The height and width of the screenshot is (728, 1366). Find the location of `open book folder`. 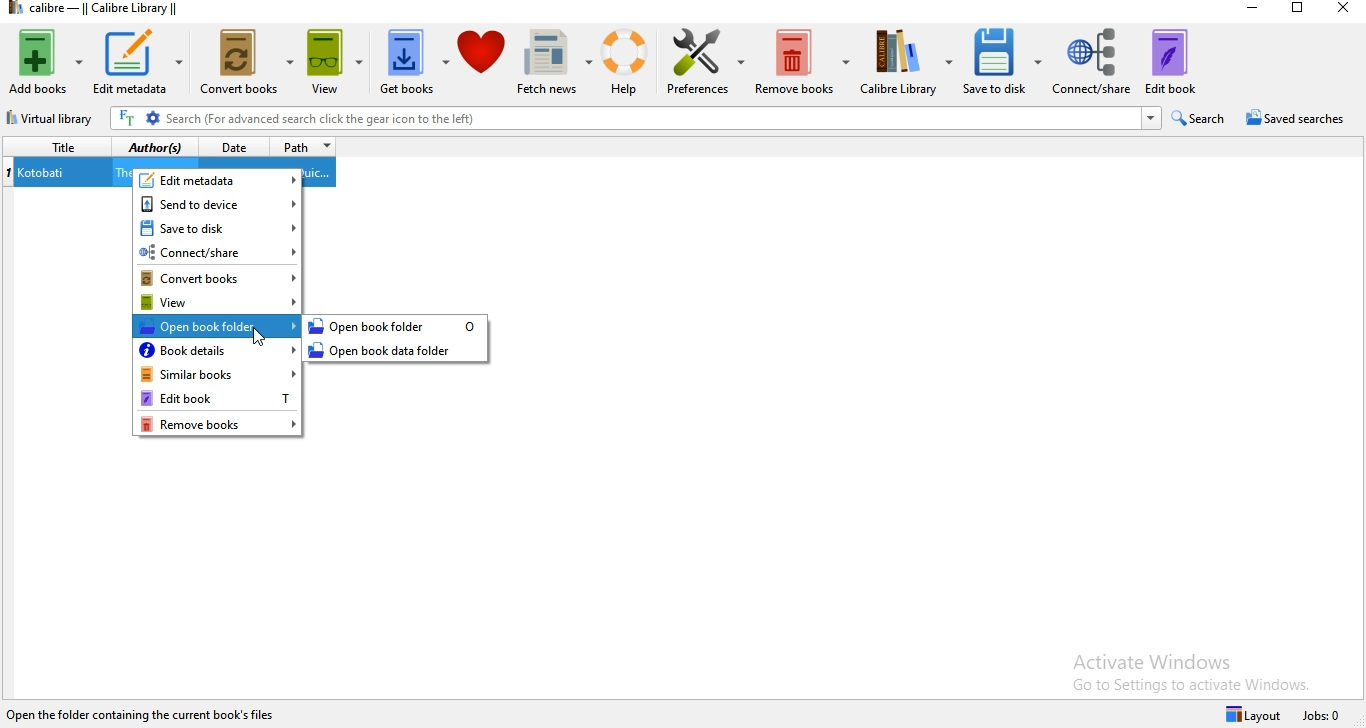

open book folder is located at coordinates (214, 325).